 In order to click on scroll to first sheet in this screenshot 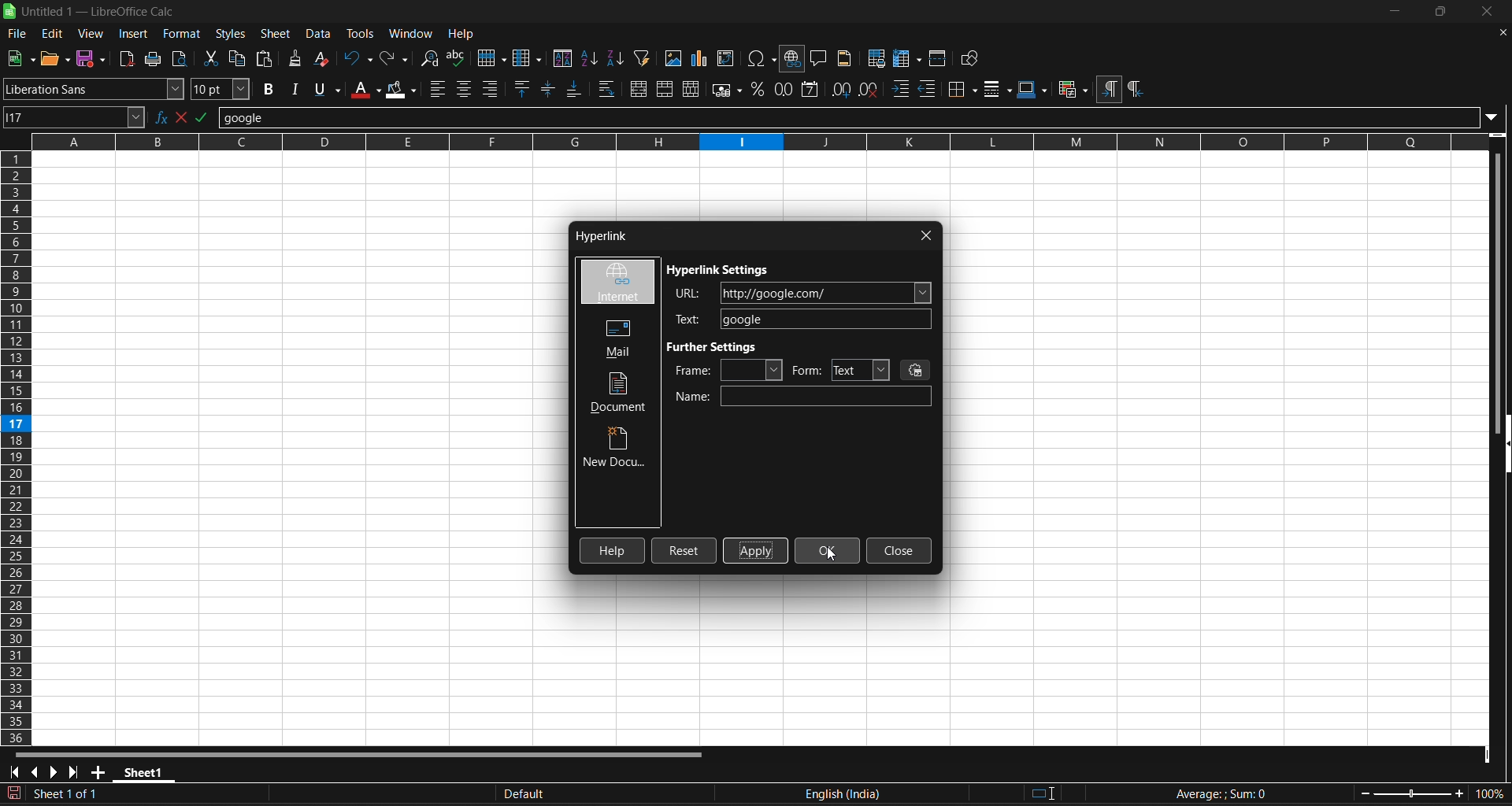, I will do `click(13, 772)`.